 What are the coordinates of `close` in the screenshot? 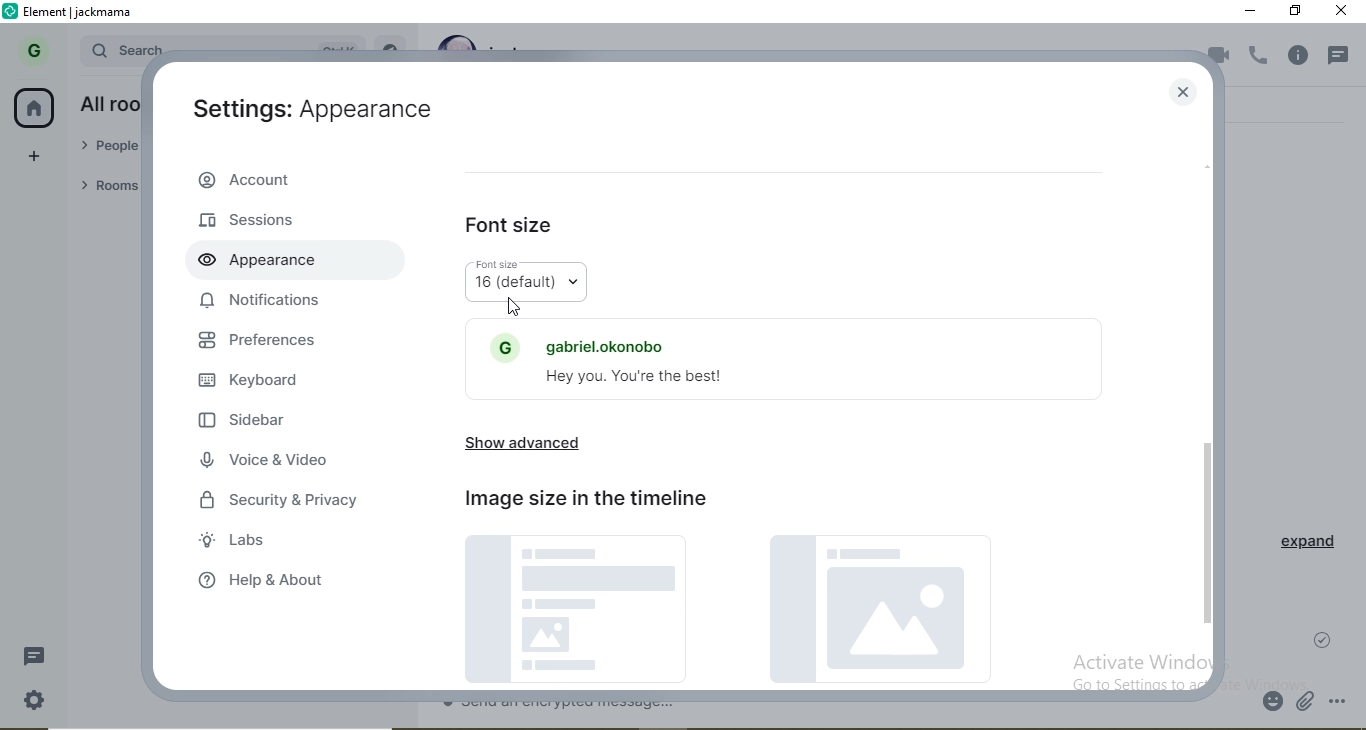 It's located at (1184, 93).